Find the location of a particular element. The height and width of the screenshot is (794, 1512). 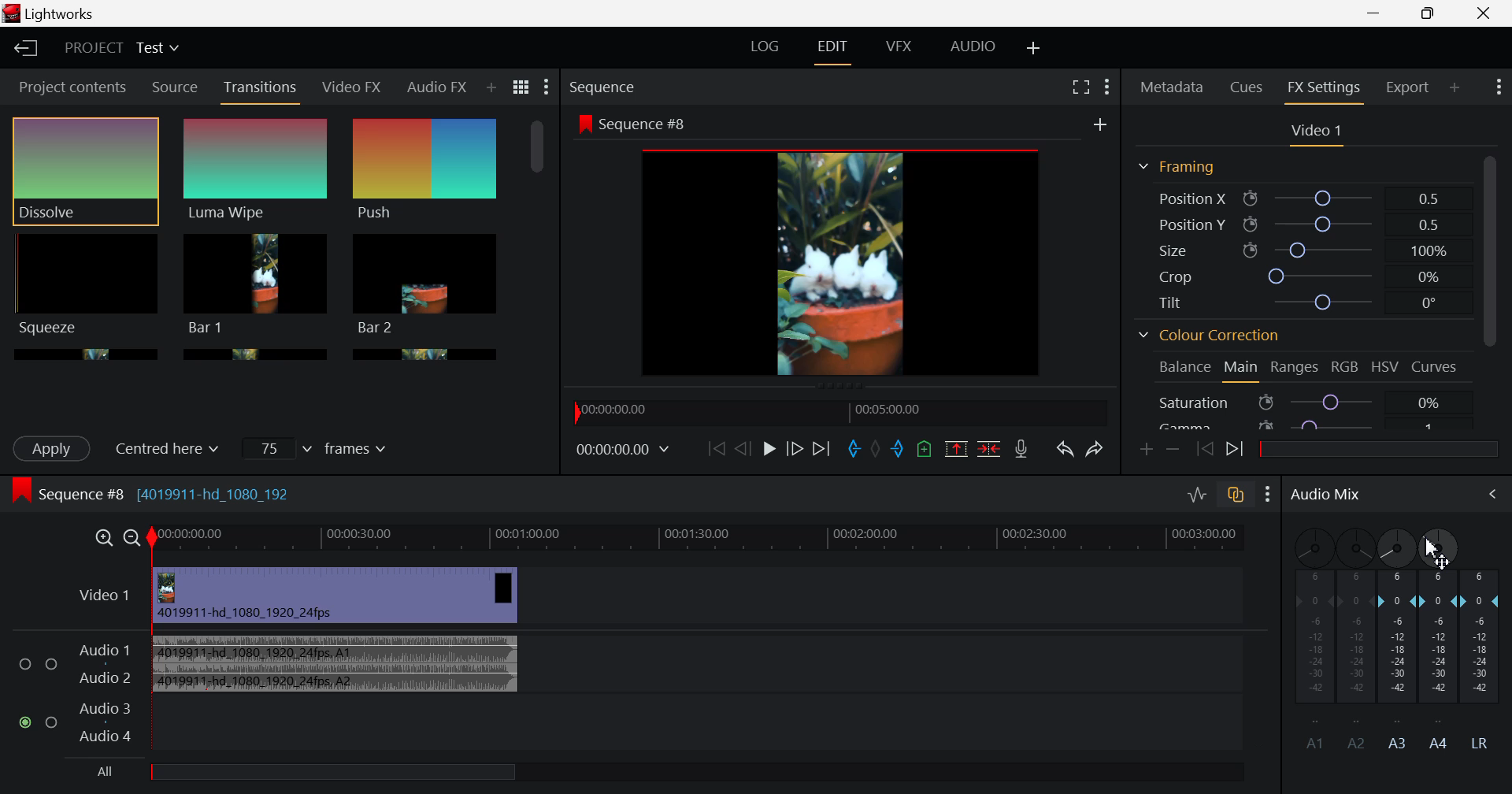

Mark Out is located at coordinates (898, 449).